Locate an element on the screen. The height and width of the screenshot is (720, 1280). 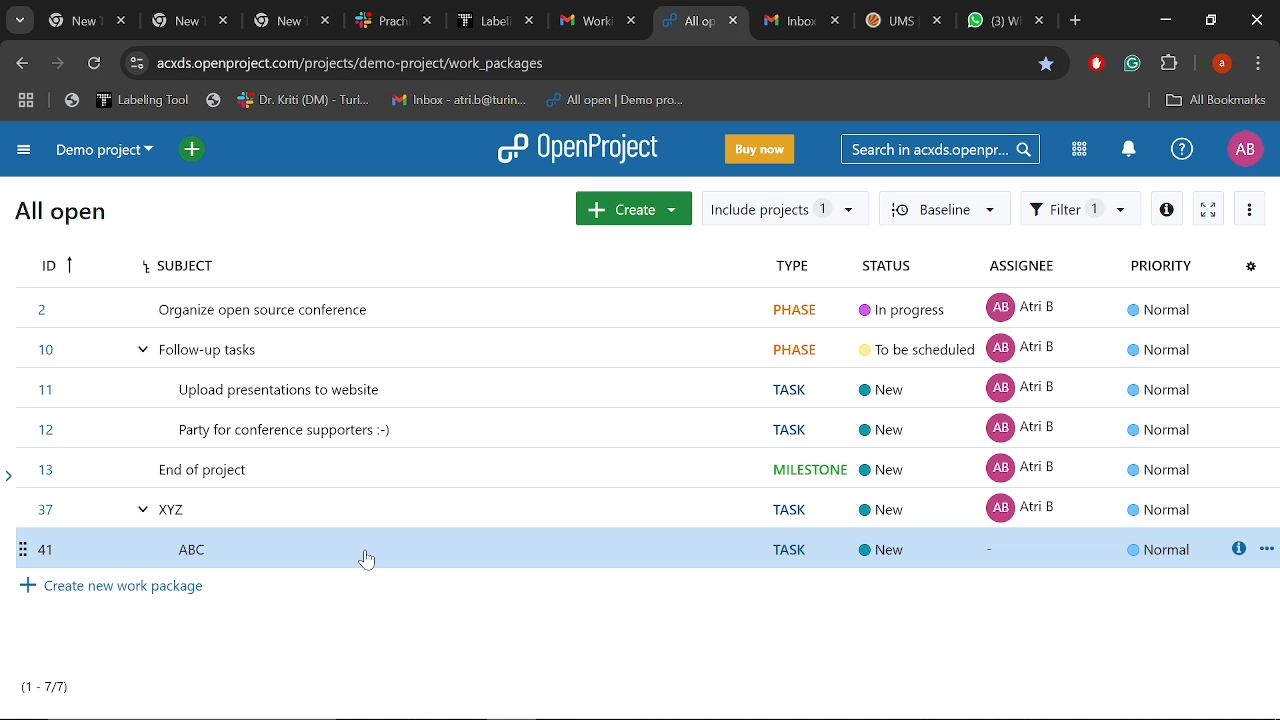
Type is located at coordinates (798, 265).